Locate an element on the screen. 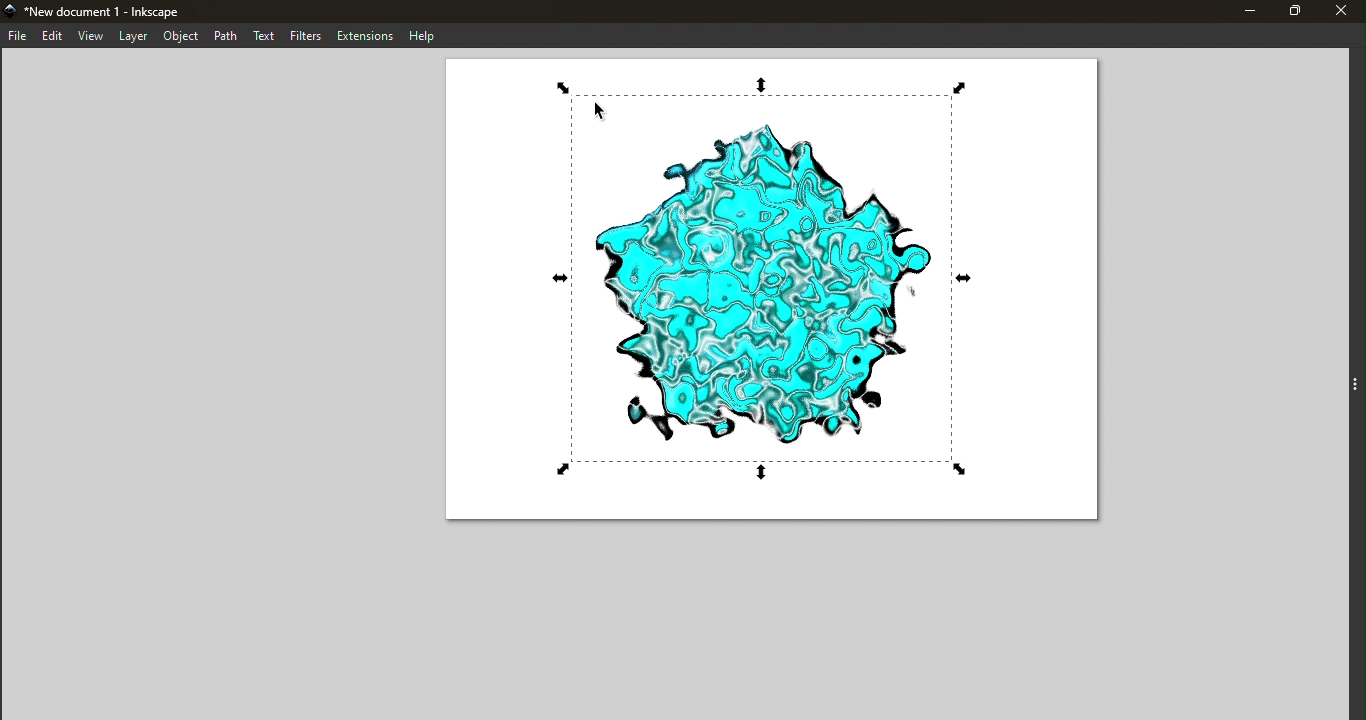 The width and height of the screenshot is (1366, 720). File is located at coordinates (16, 35).